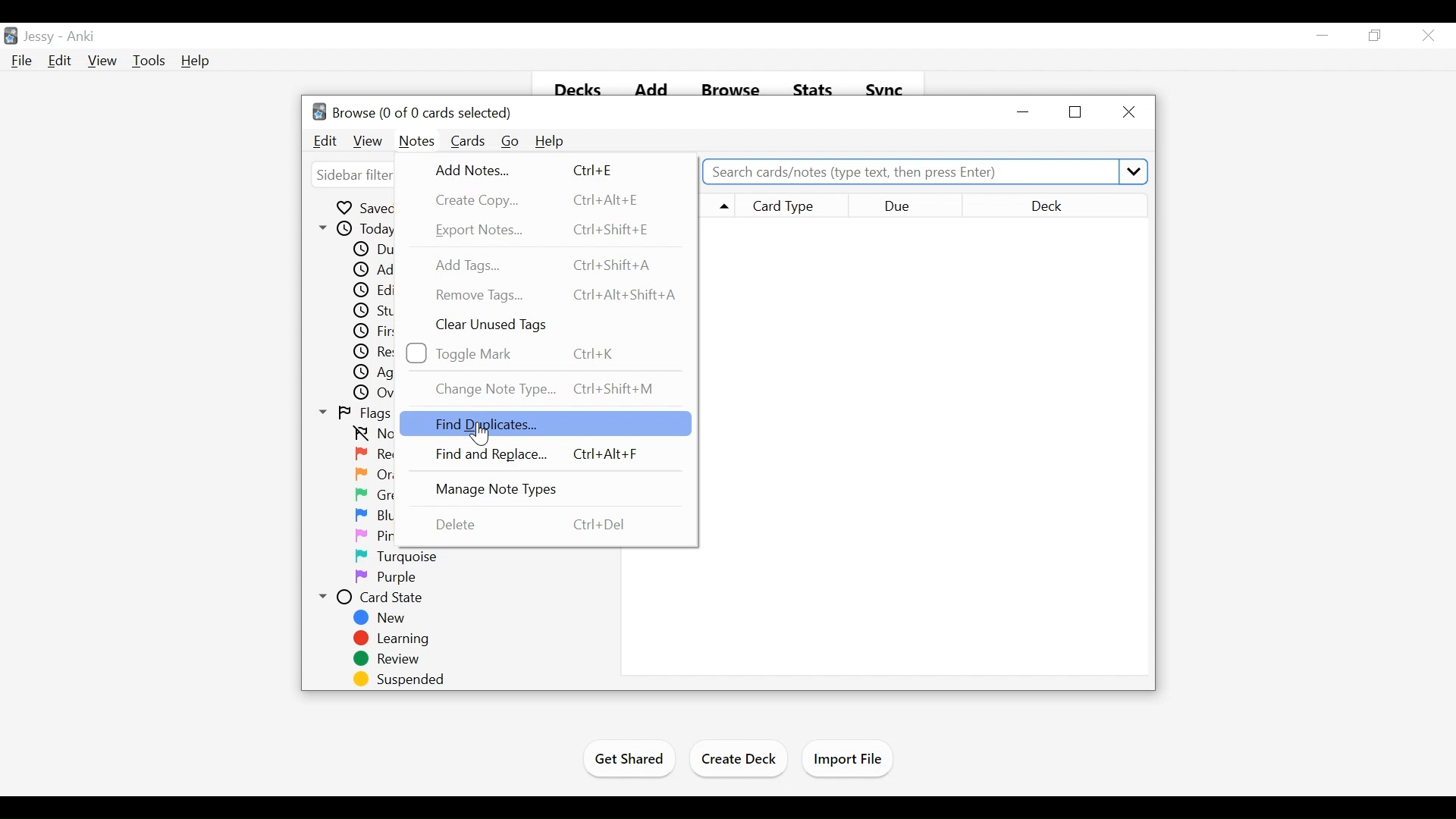 The image size is (1456, 819). What do you see at coordinates (1323, 35) in the screenshot?
I see `minimize` at bounding box center [1323, 35].